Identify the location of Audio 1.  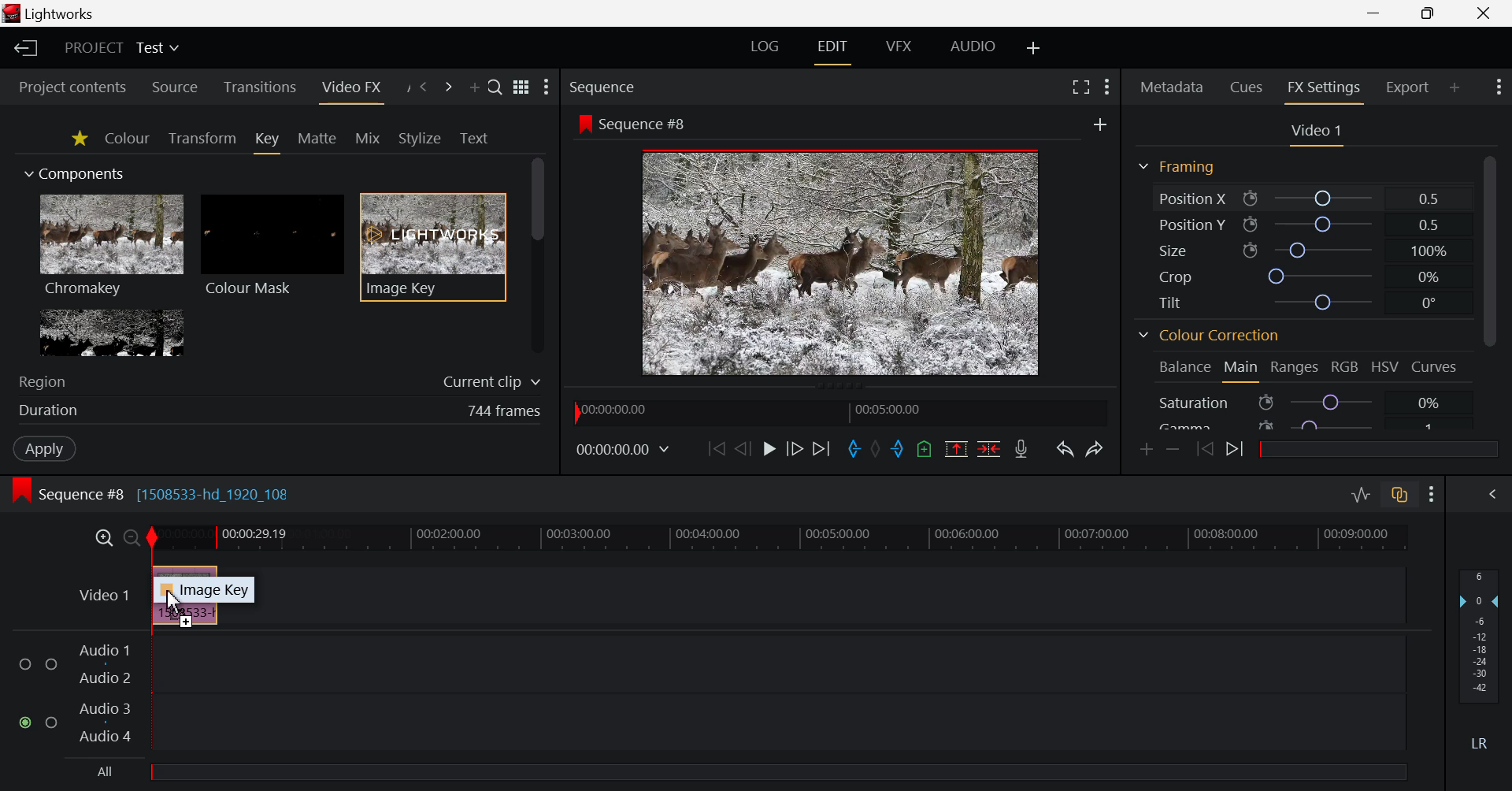
(104, 652).